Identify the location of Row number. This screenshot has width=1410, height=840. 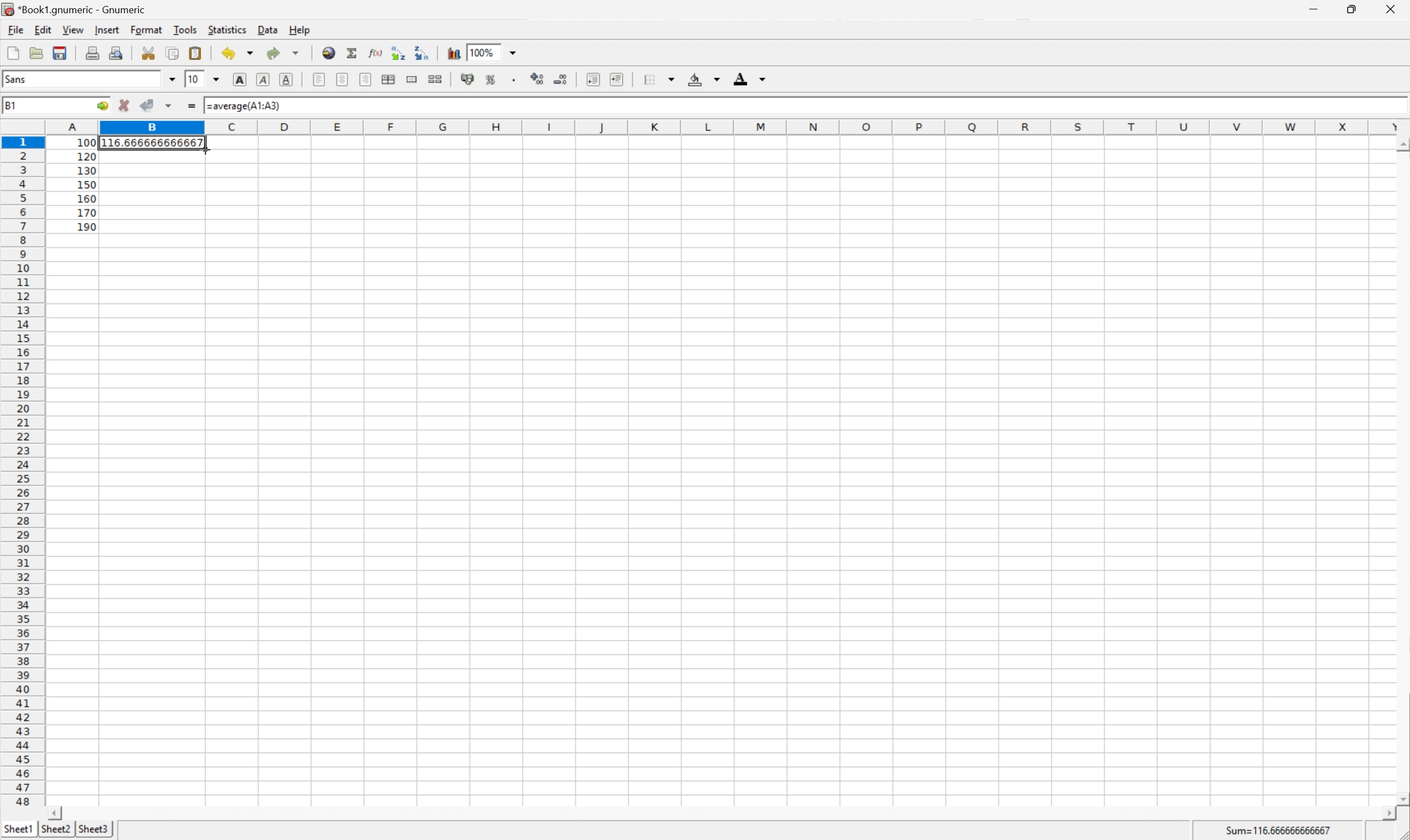
(22, 472).